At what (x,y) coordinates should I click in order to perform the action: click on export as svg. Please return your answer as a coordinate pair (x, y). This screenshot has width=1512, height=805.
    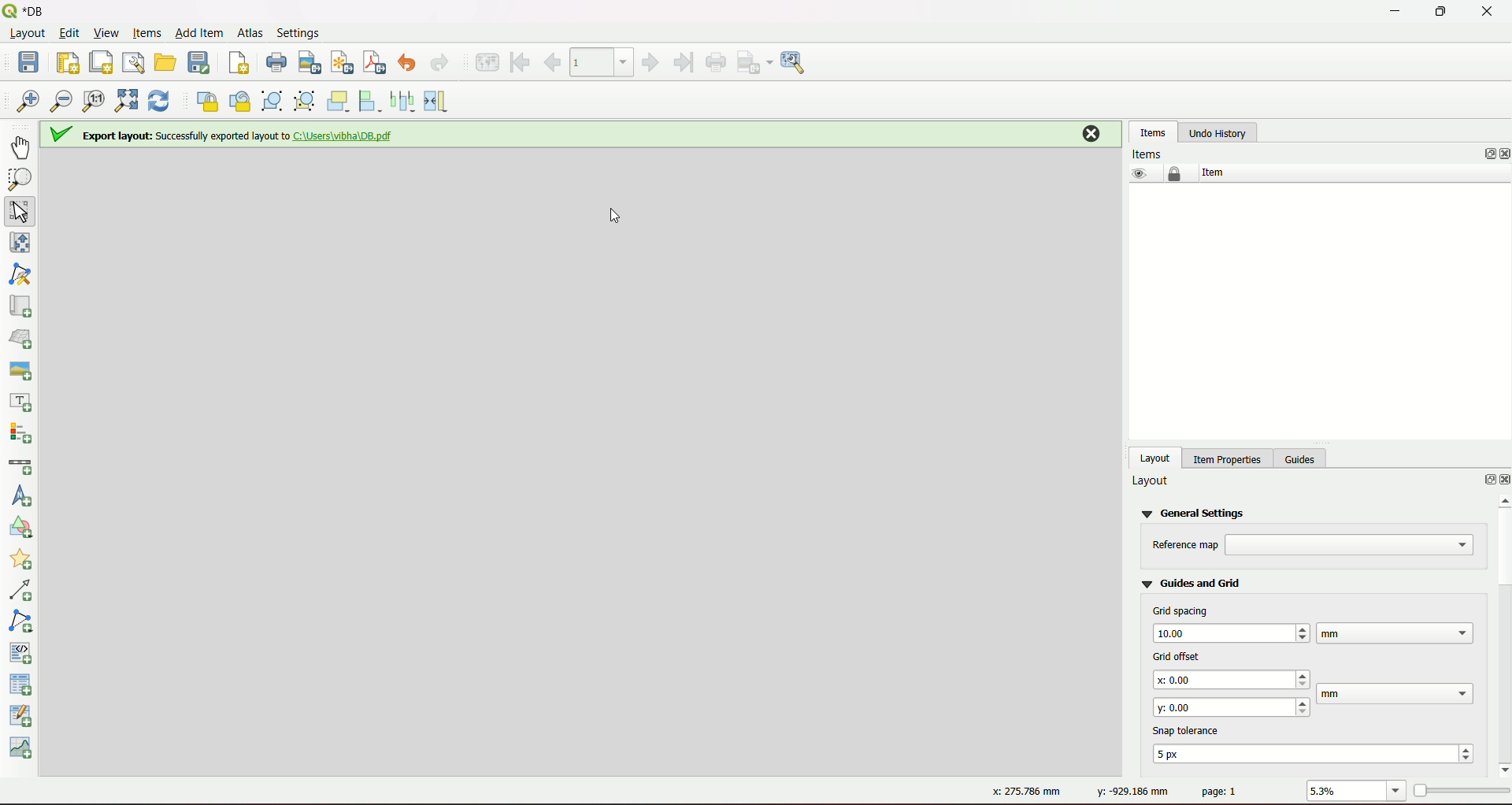
    Looking at the image, I should click on (340, 62).